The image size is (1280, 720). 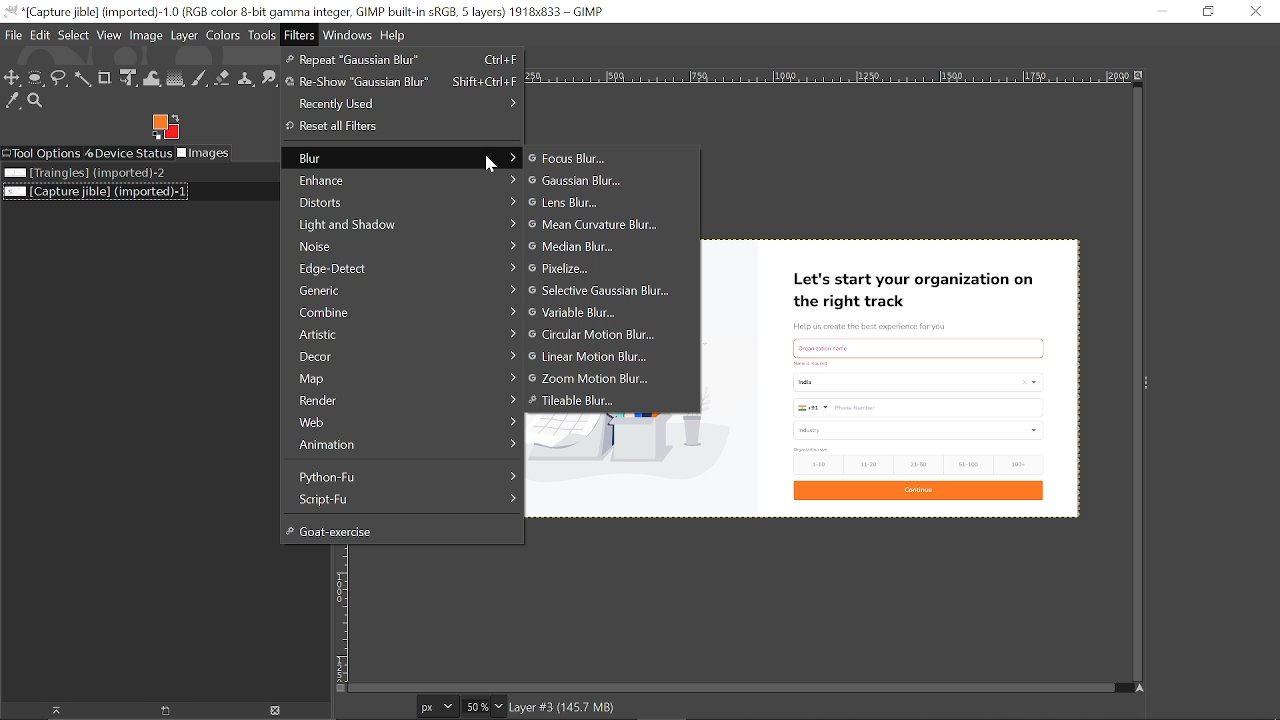 I want to click on Generic, so click(x=402, y=290).